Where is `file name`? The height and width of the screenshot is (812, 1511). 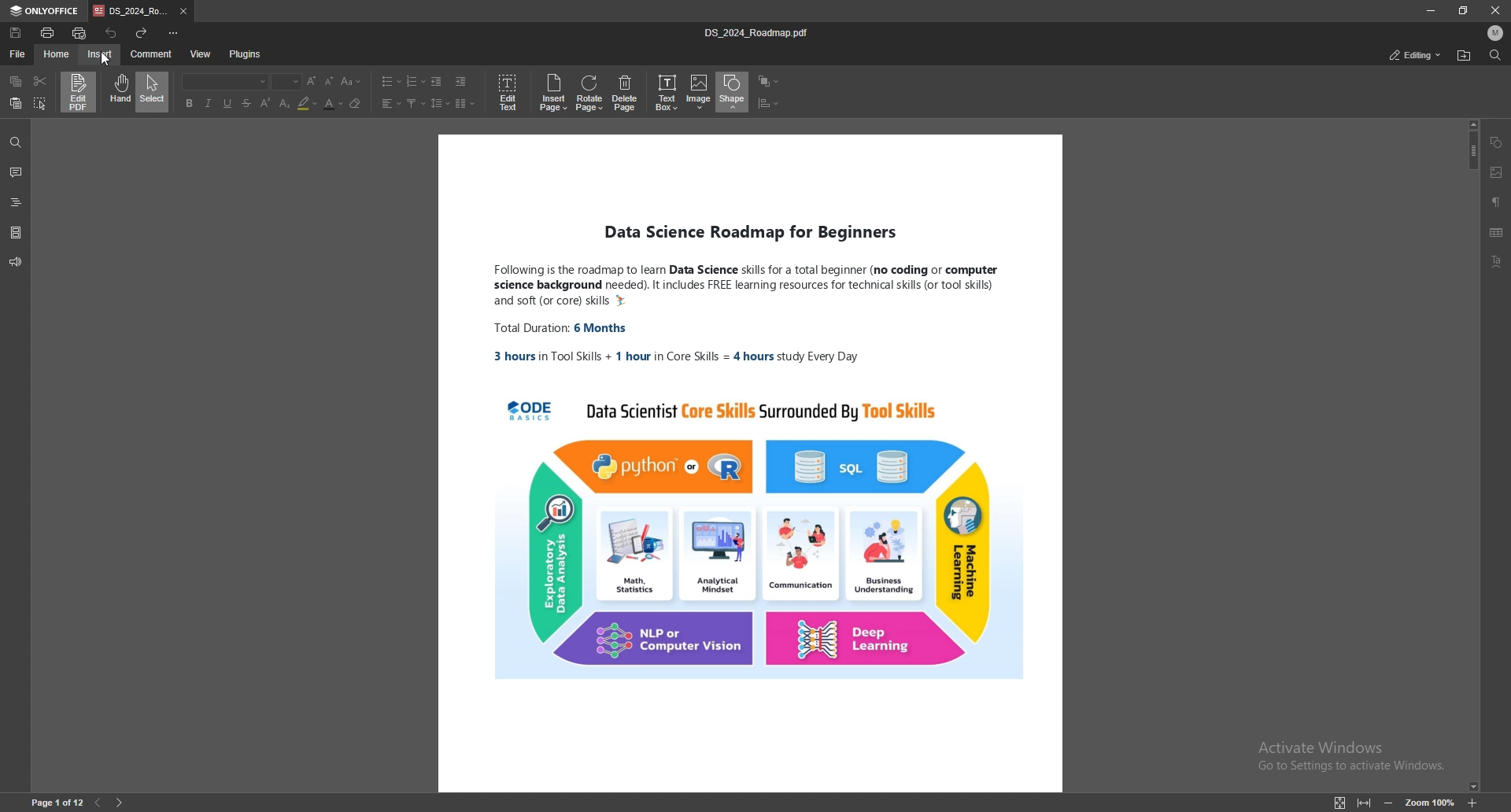 file name is located at coordinates (760, 32).